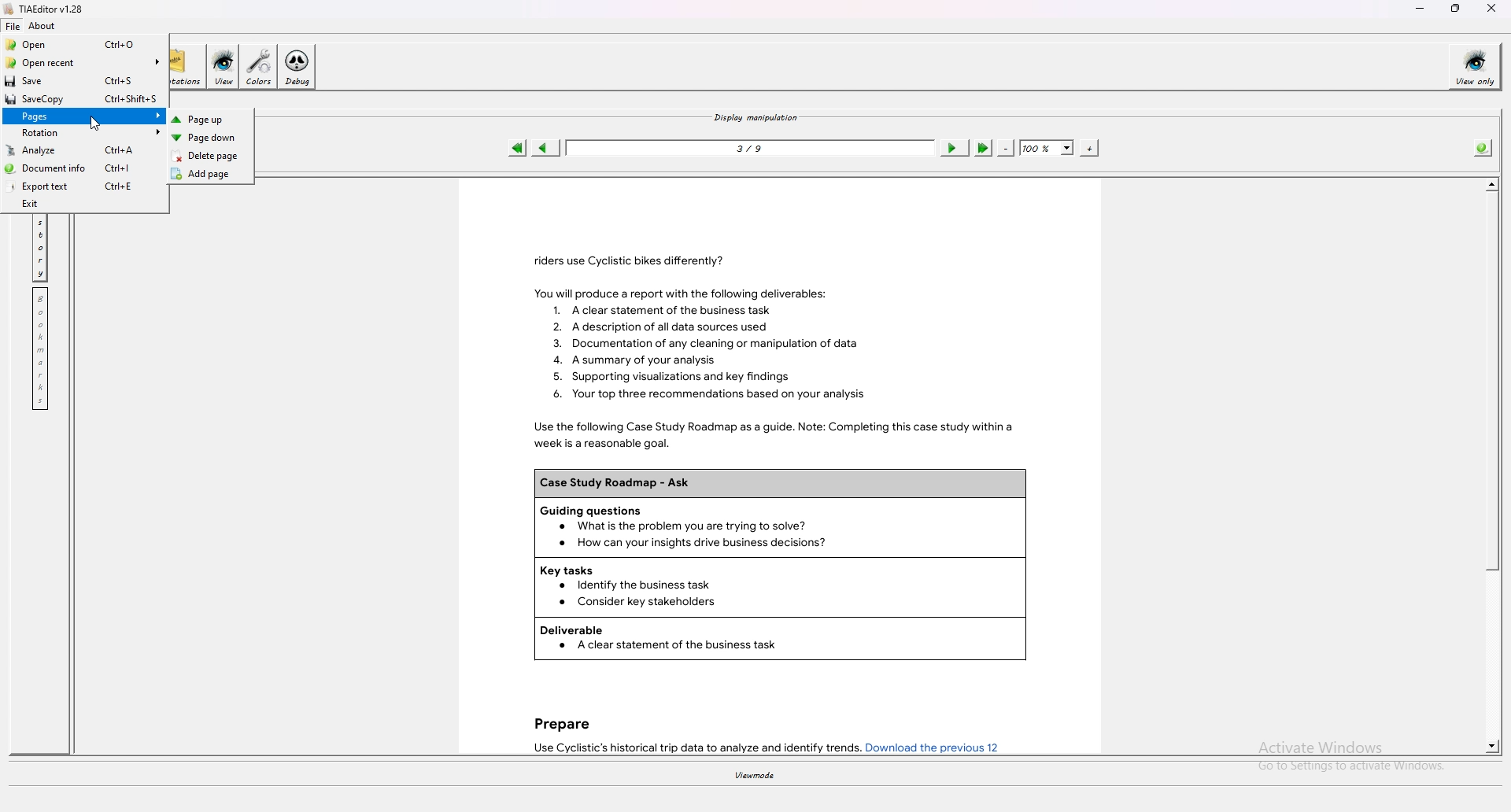  Describe the element at coordinates (1491, 382) in the screenshot. I see `scroll bar` at that location.